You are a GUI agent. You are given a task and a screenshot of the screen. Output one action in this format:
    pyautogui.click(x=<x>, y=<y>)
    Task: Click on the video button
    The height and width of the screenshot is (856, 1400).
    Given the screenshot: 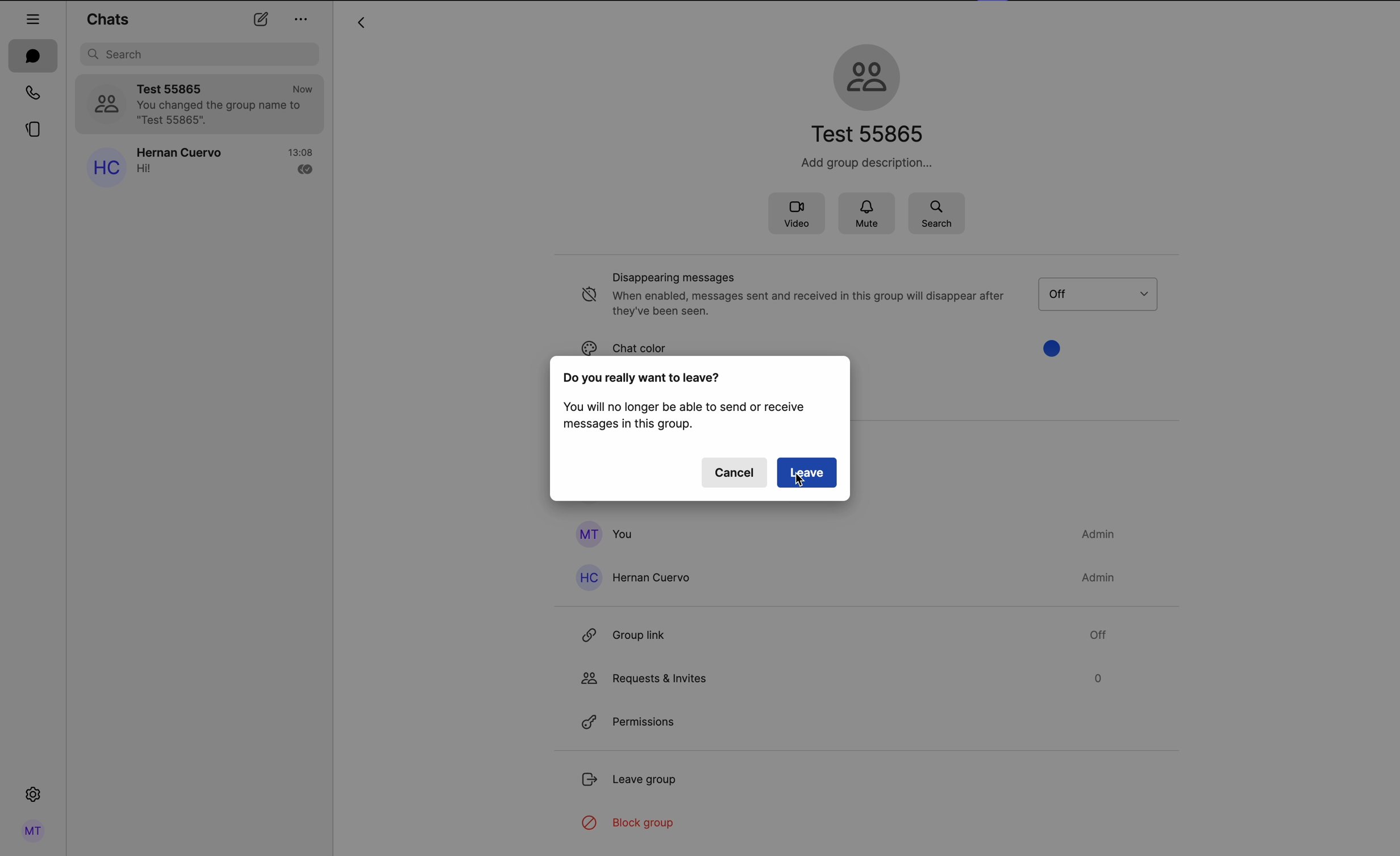 What is the action you would take?
    pyautogui.click(x=795, y=215)
    